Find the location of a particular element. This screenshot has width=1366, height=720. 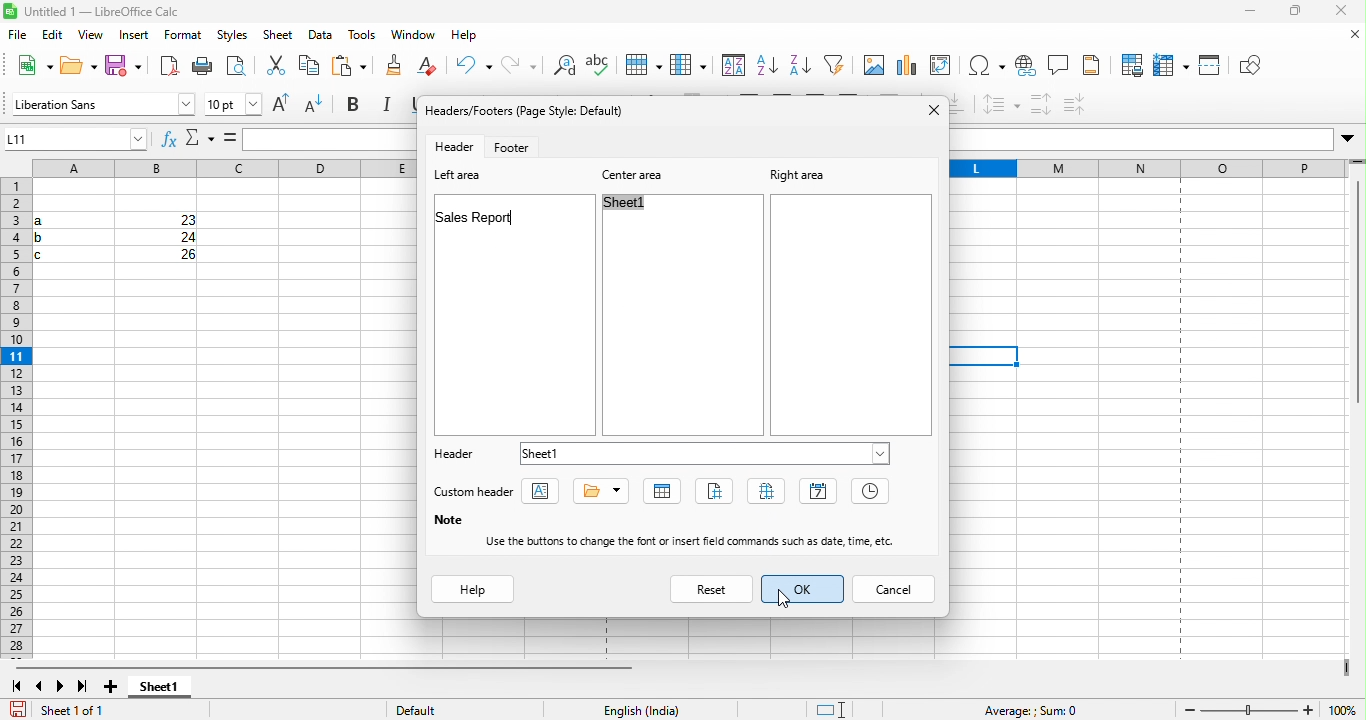

clear direct formatting is located at coordinates (397, 65).